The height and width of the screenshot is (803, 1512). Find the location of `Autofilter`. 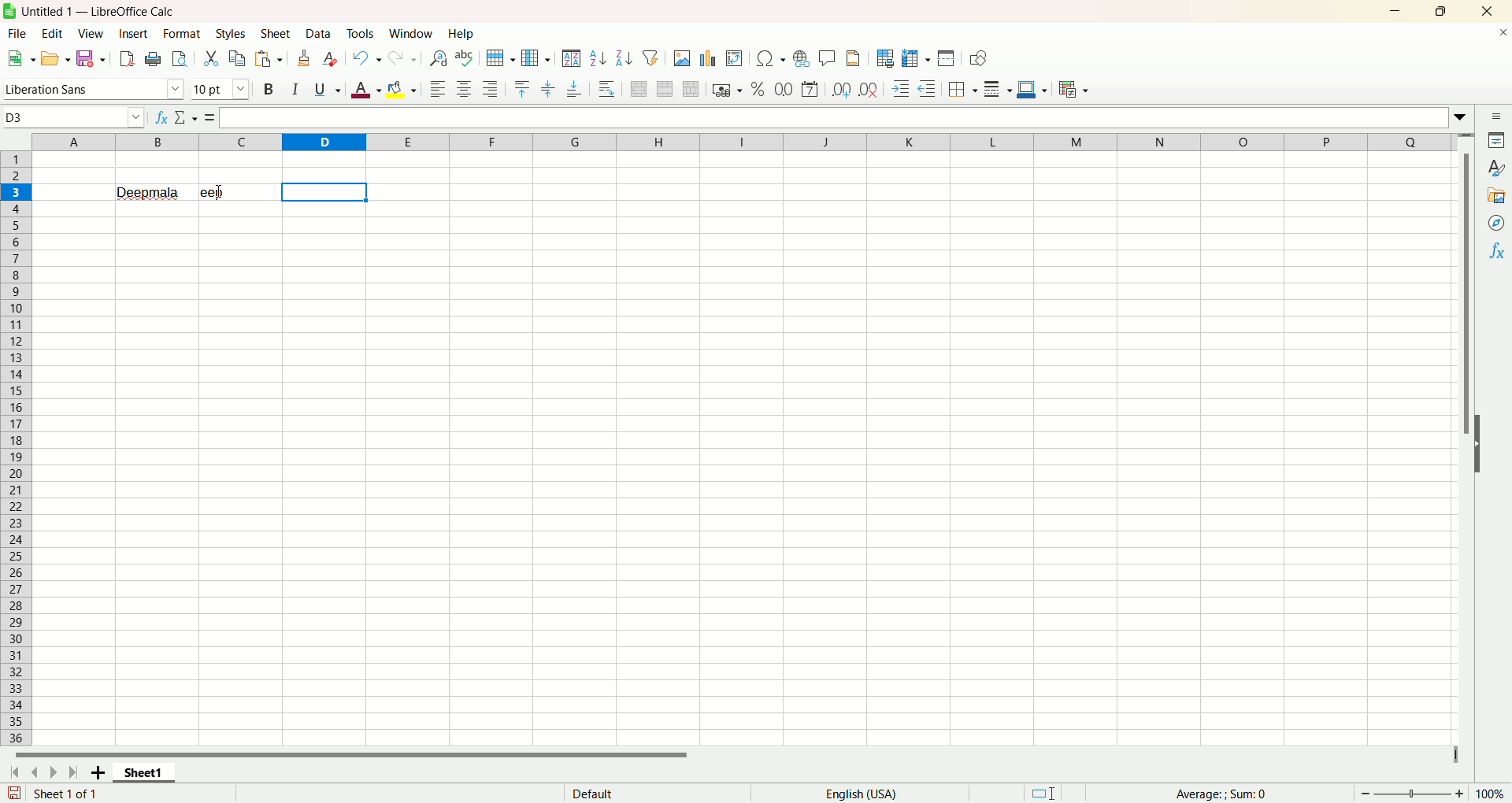

Autofilter is located at coordinates (650, 57).